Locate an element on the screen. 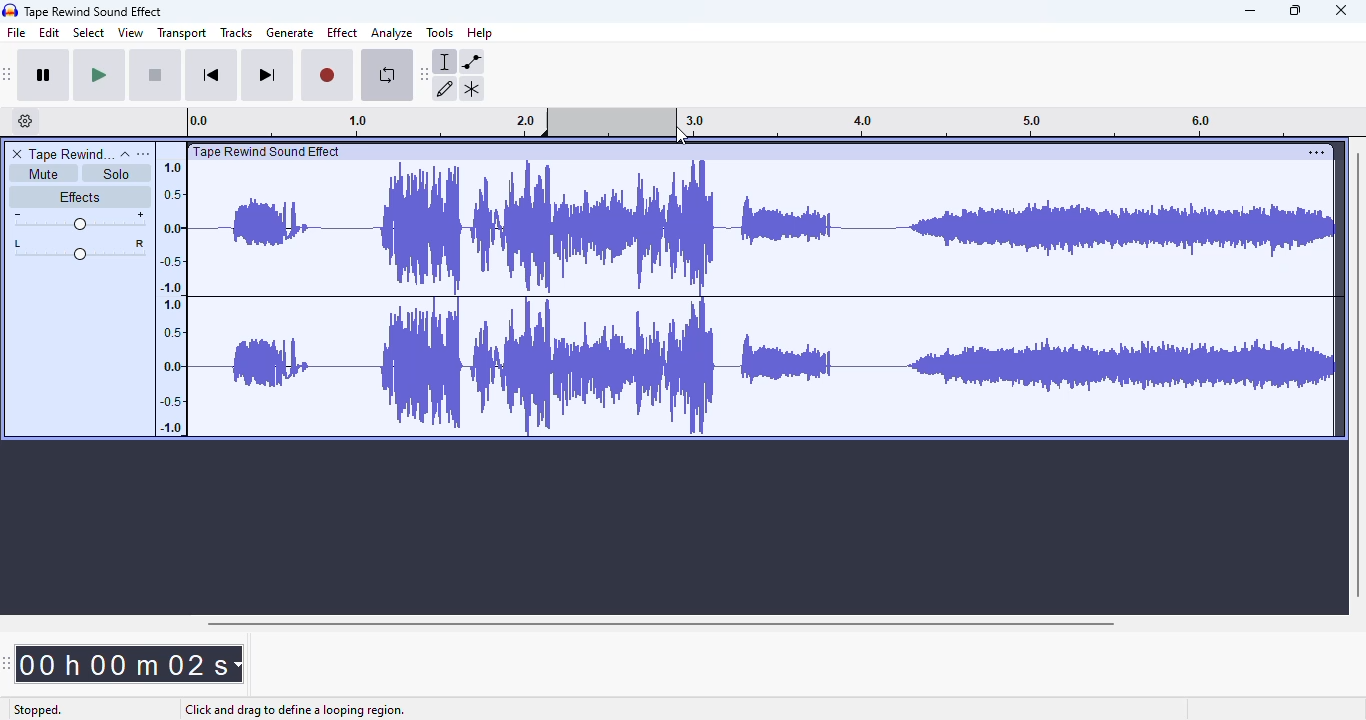 The height and width of the screenshot is (720, 1366). audio track is located at coordinates (764, 298).